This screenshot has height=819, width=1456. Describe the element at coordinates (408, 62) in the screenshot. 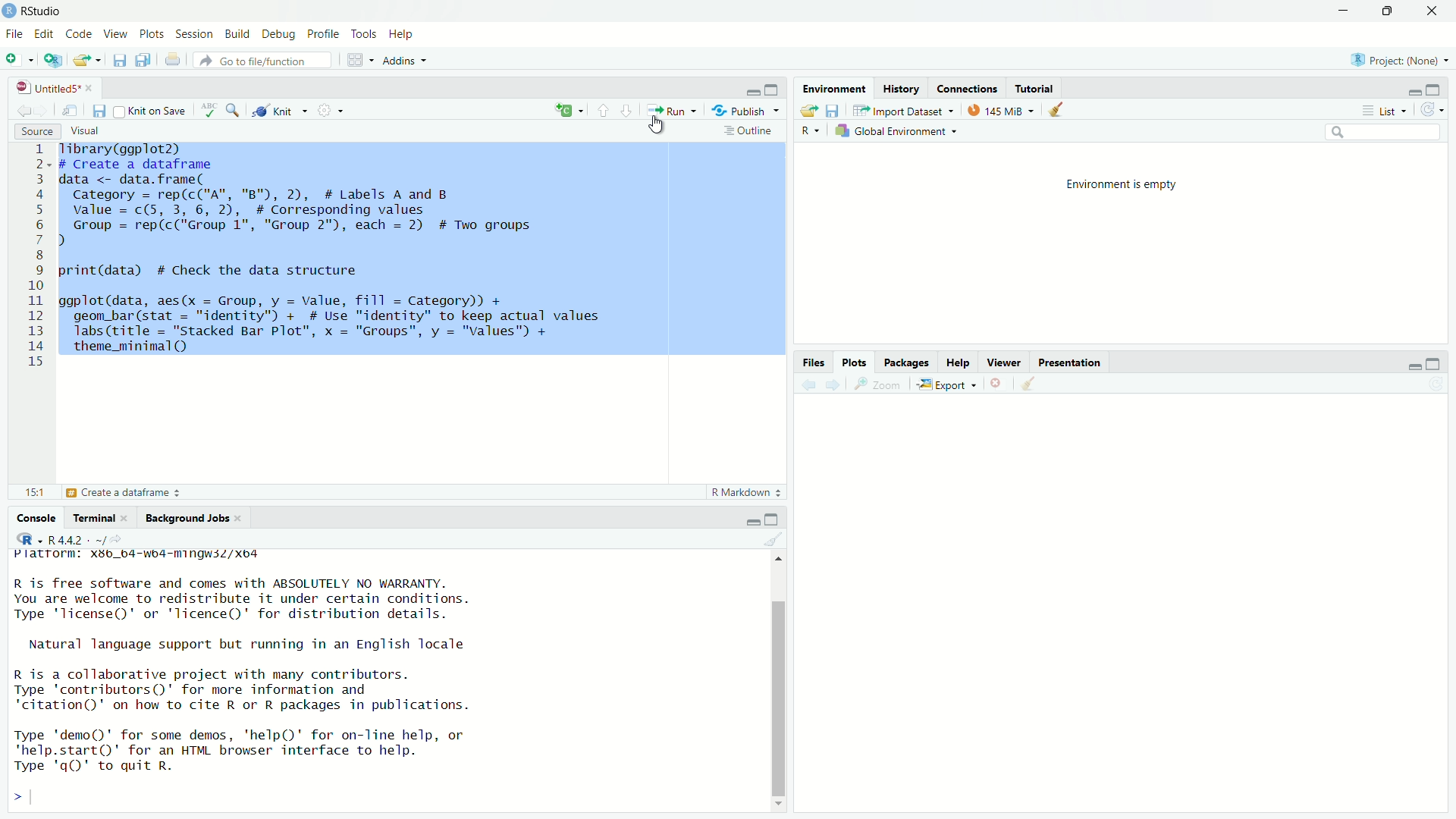

I see `Addins` at that location.